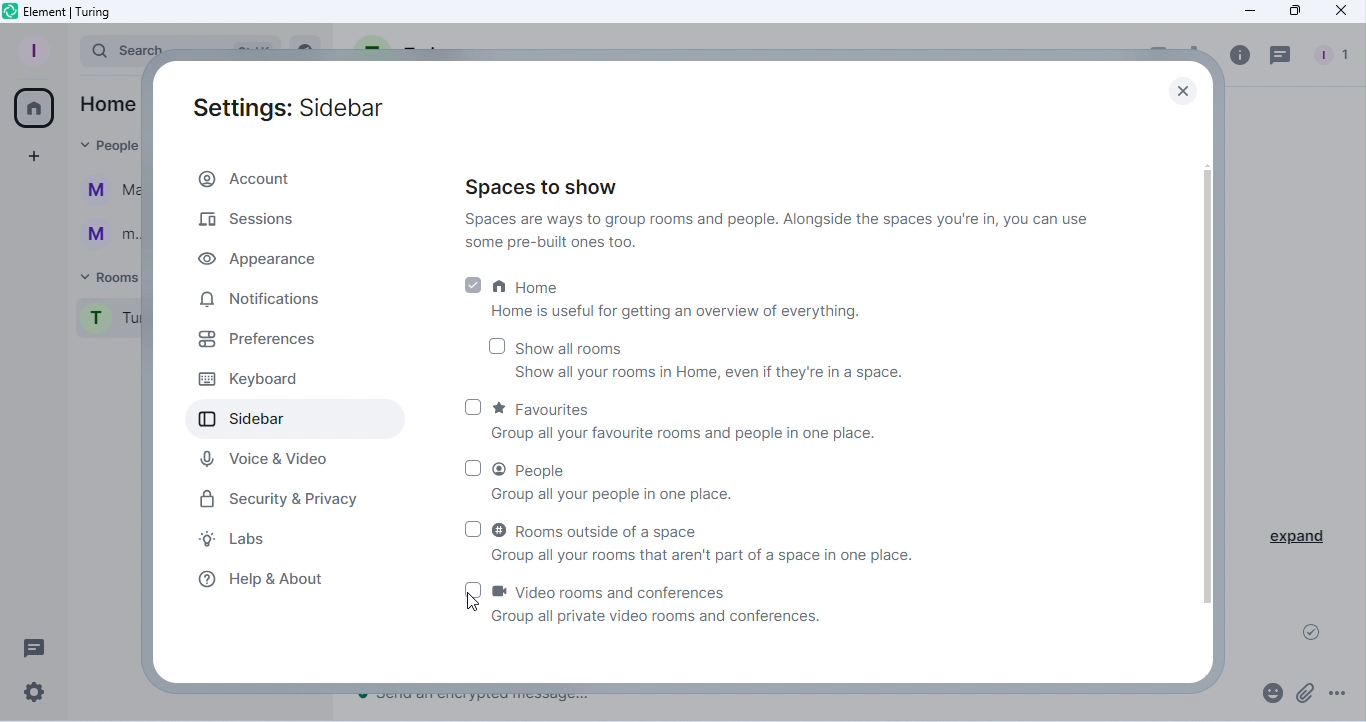  I want to click on Turing, so click(110, 321).